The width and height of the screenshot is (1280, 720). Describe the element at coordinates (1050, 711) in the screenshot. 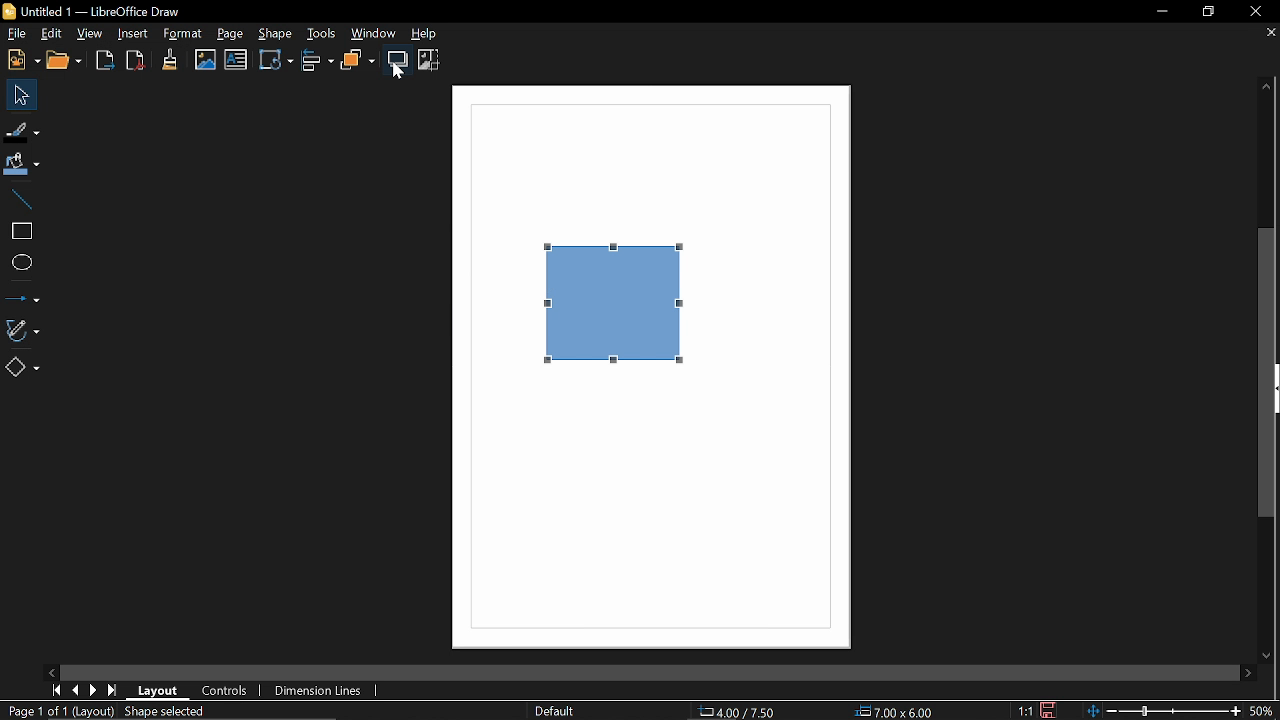

I see `Save` at that location.